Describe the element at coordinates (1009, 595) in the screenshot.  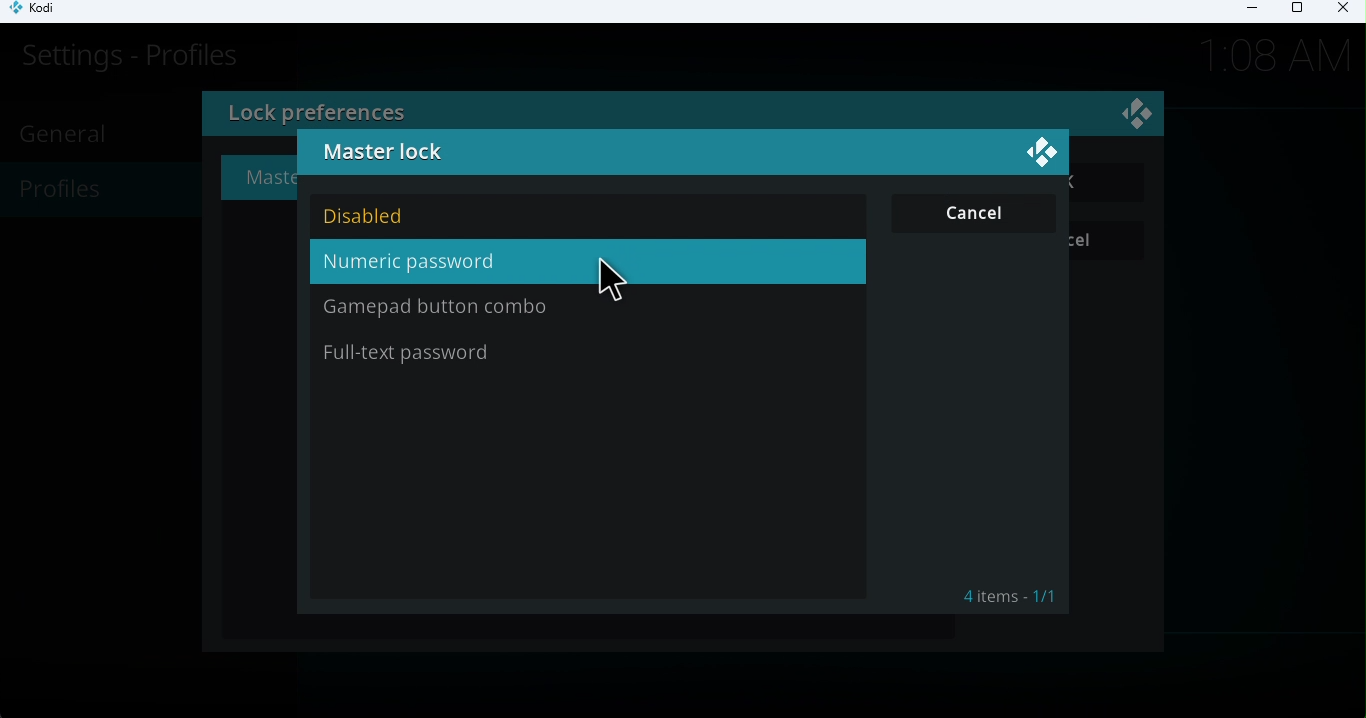
I see `4 items - 1/1` at that location.